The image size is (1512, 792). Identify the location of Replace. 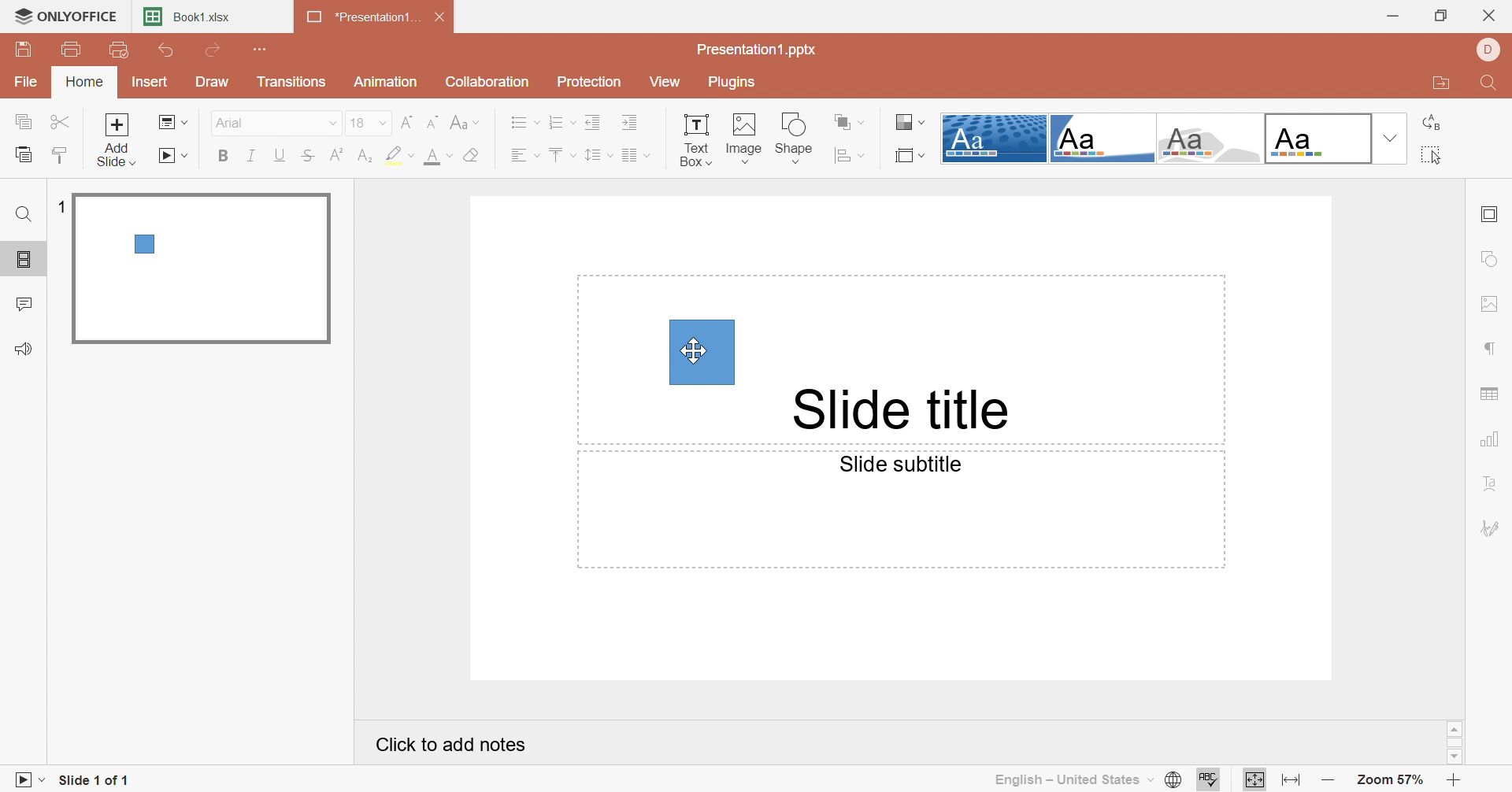
(1431, 124).